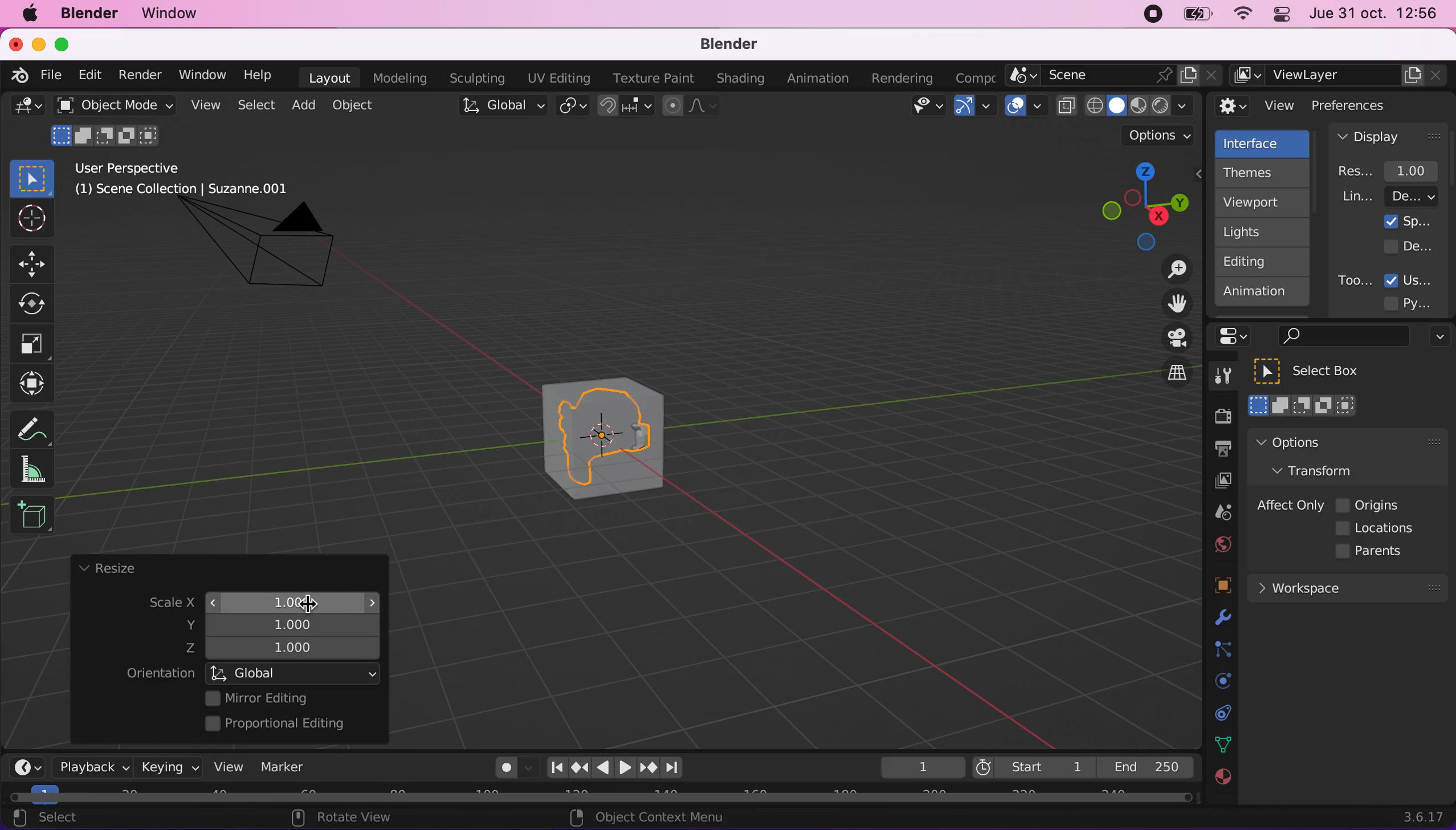  I want to click on scene, so click(1218, 513).